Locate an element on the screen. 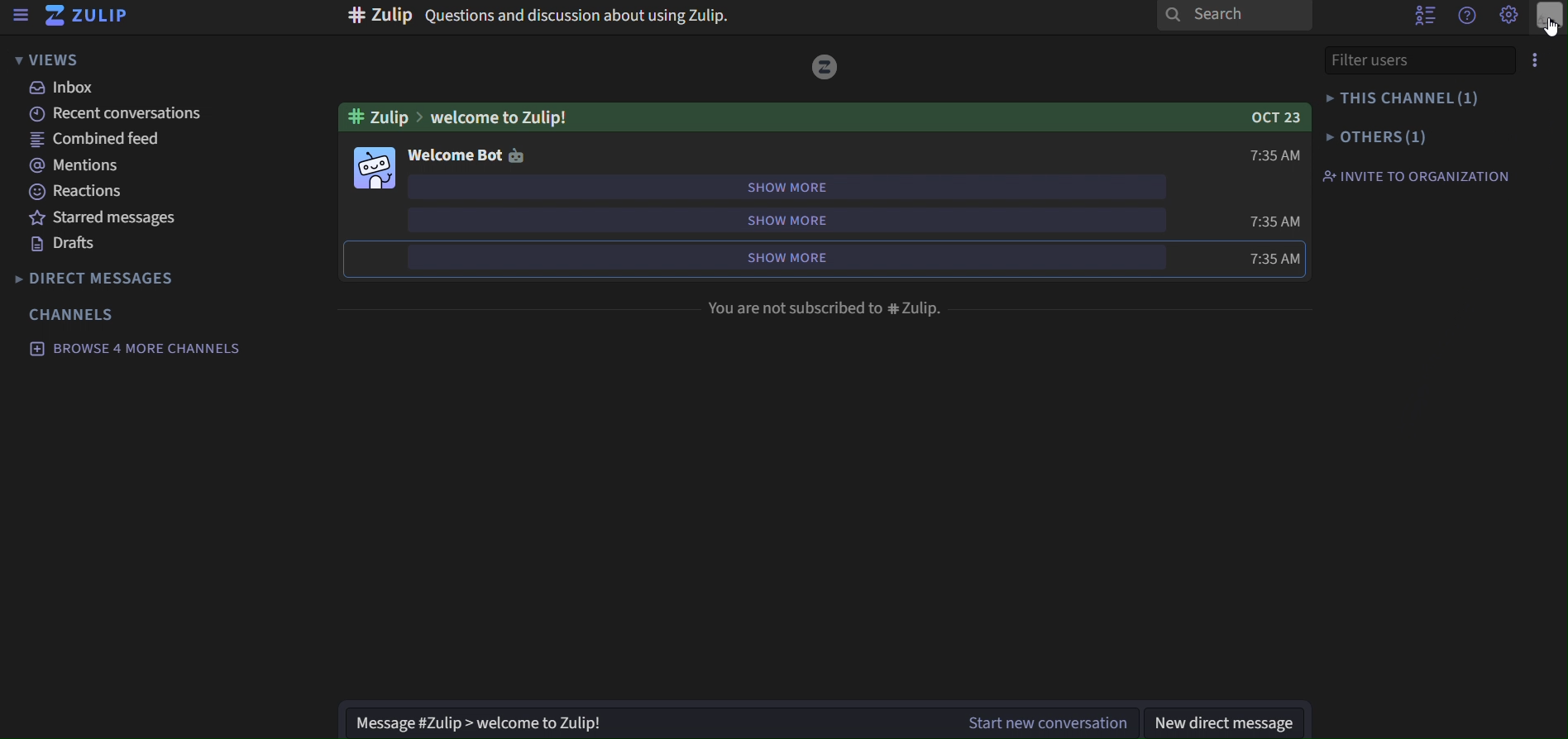 This screenshot has height=739, width=1568. 7:35 AM is located at coordinates (1276, 154).